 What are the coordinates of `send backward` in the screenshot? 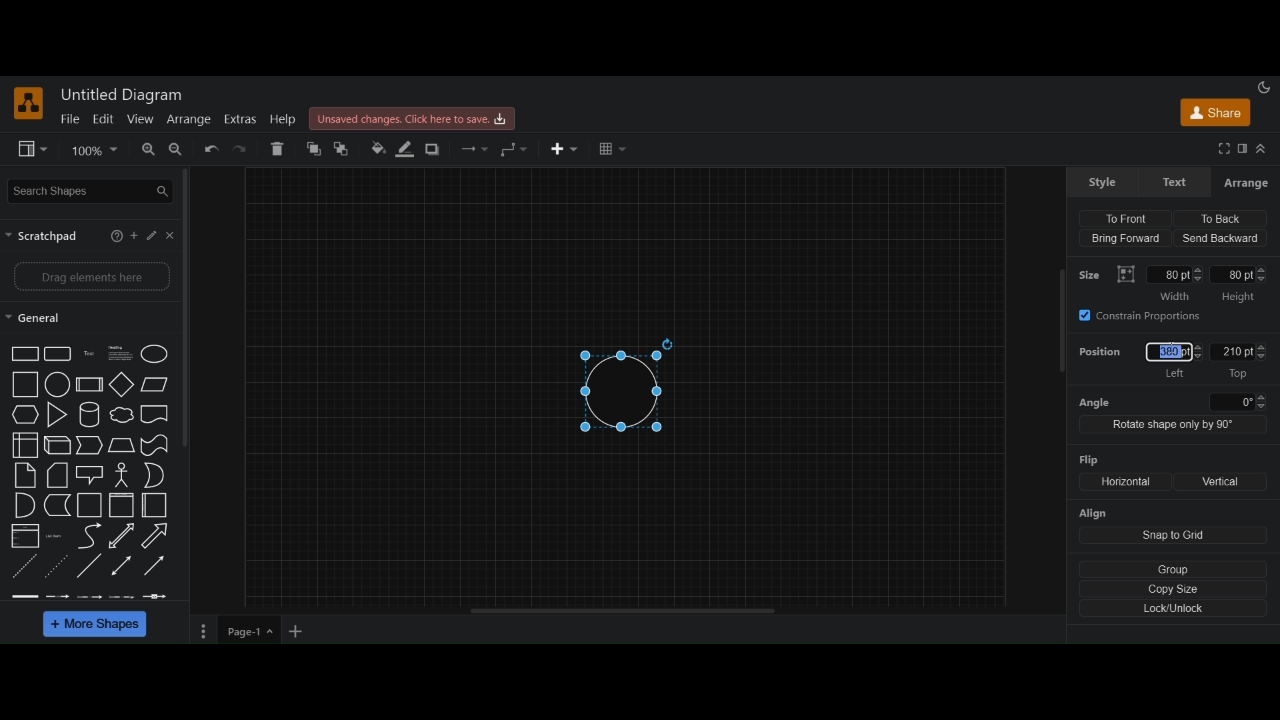 It's located at (1221, 238).